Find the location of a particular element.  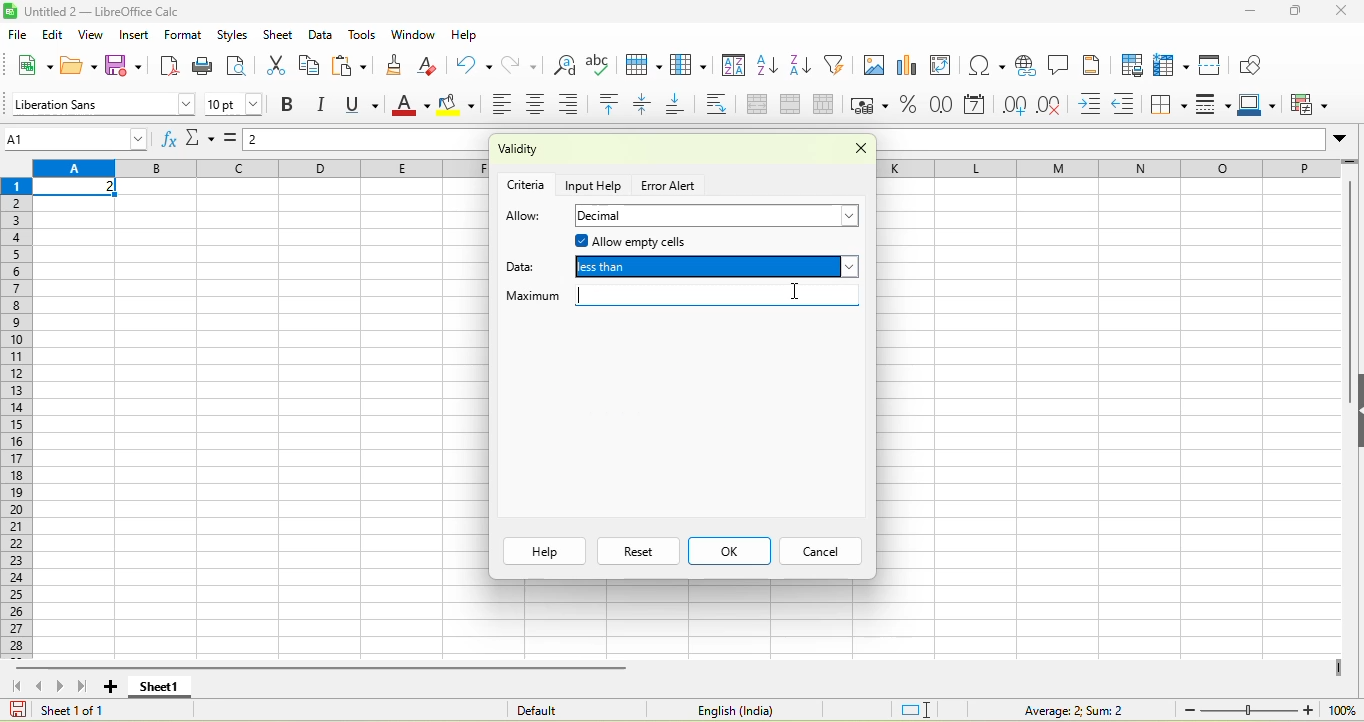

styles is located at coordinates (231, 33).